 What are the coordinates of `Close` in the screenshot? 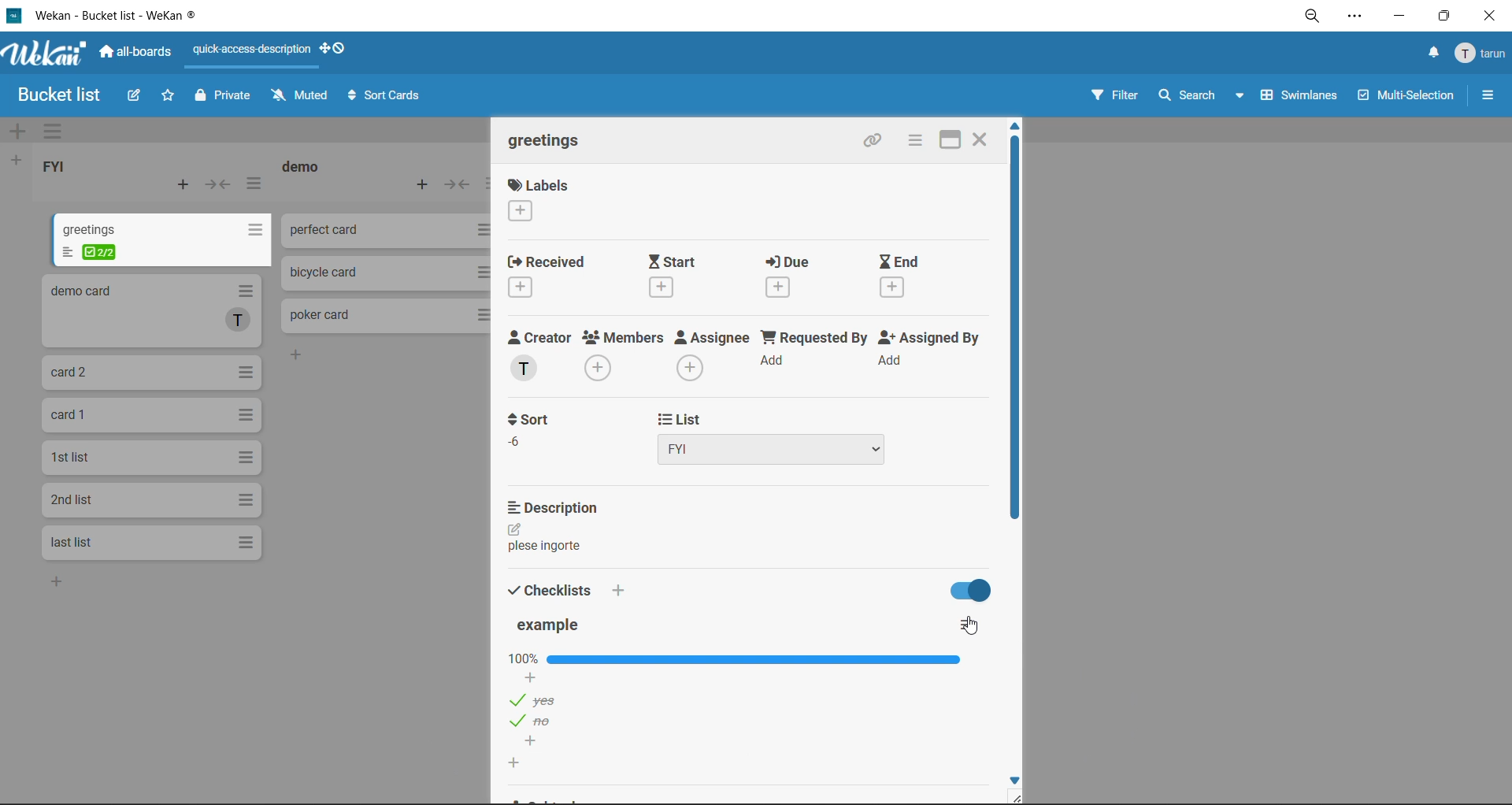 It's located at (985, 139).